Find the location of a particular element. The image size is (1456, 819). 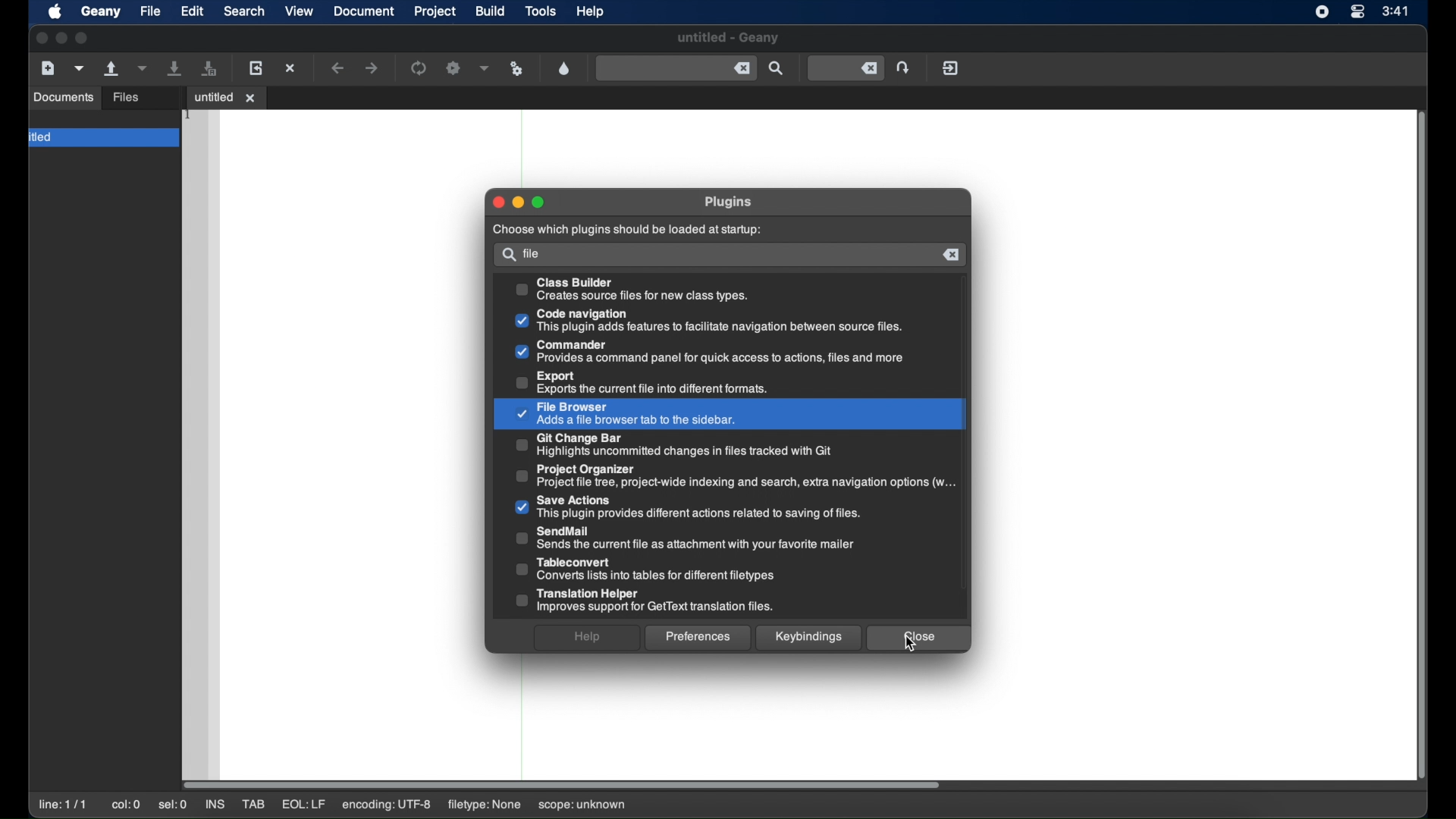

line: 1/1 is located at coordinates (63, 805).